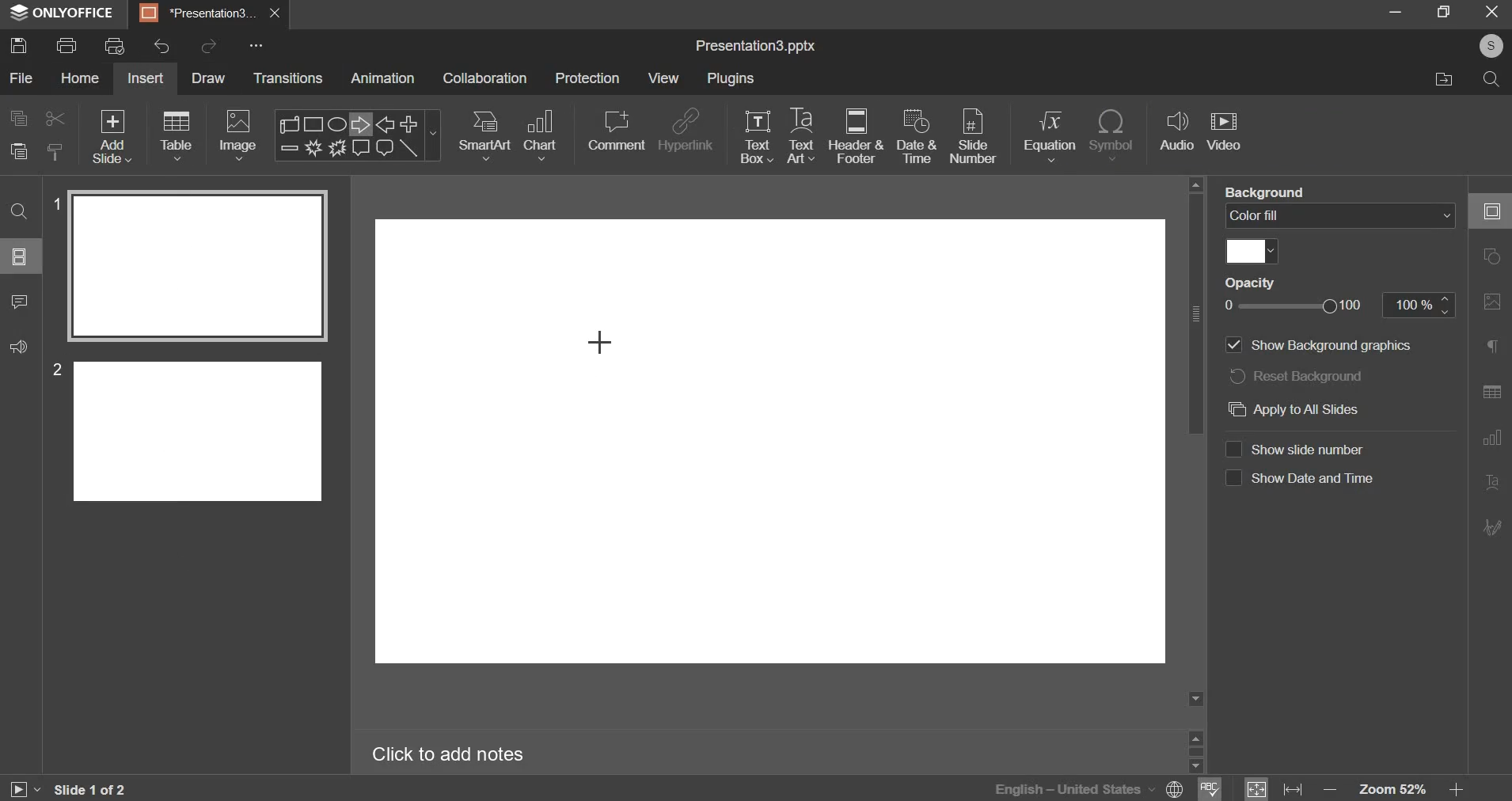 The image size is (1512, 801). Describe the element at coordinates (603, 344) in the screenshot. I see `Cursor` at that location.